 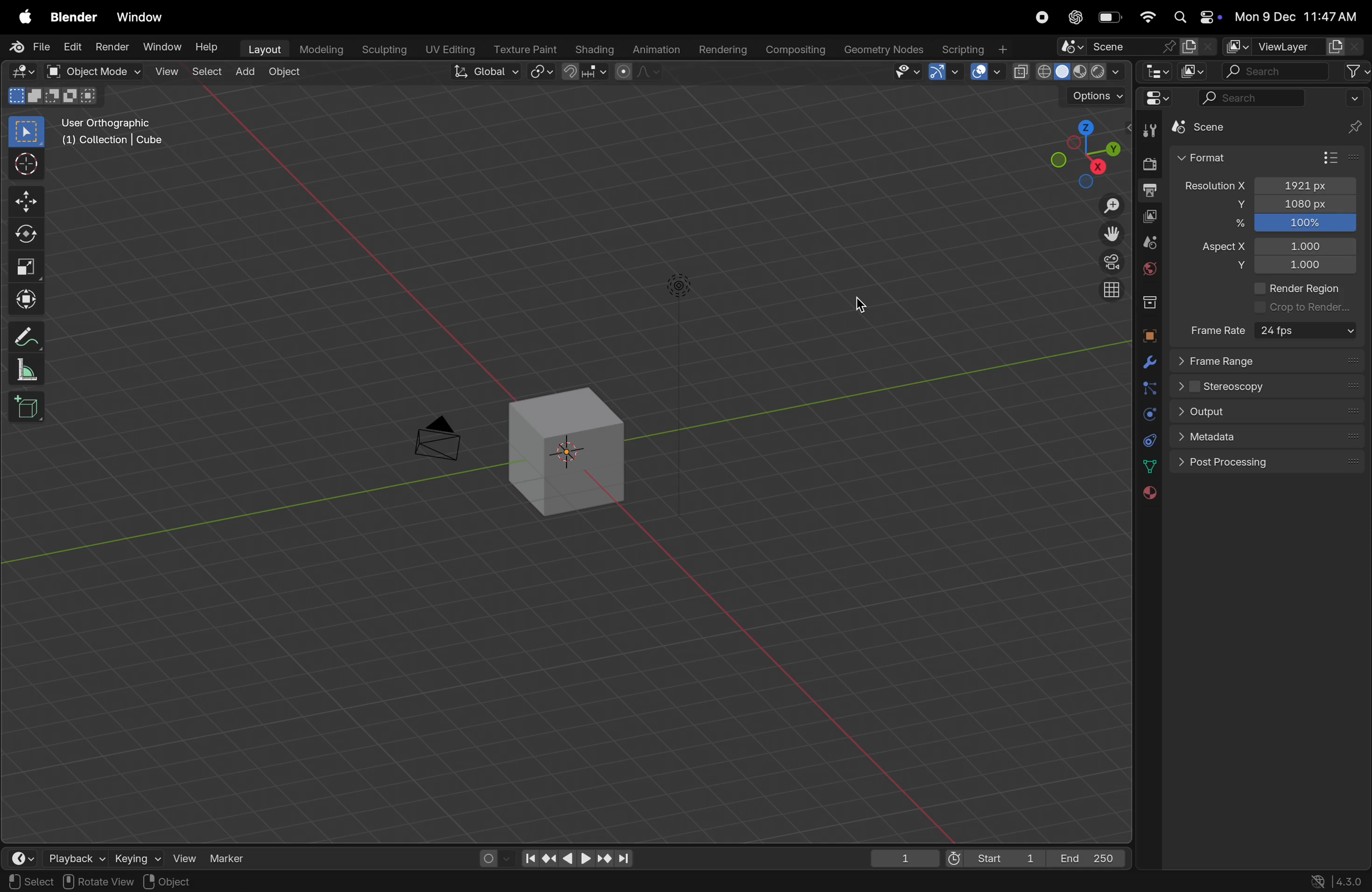 I want to click on context menu, so click(x=231, y=880).